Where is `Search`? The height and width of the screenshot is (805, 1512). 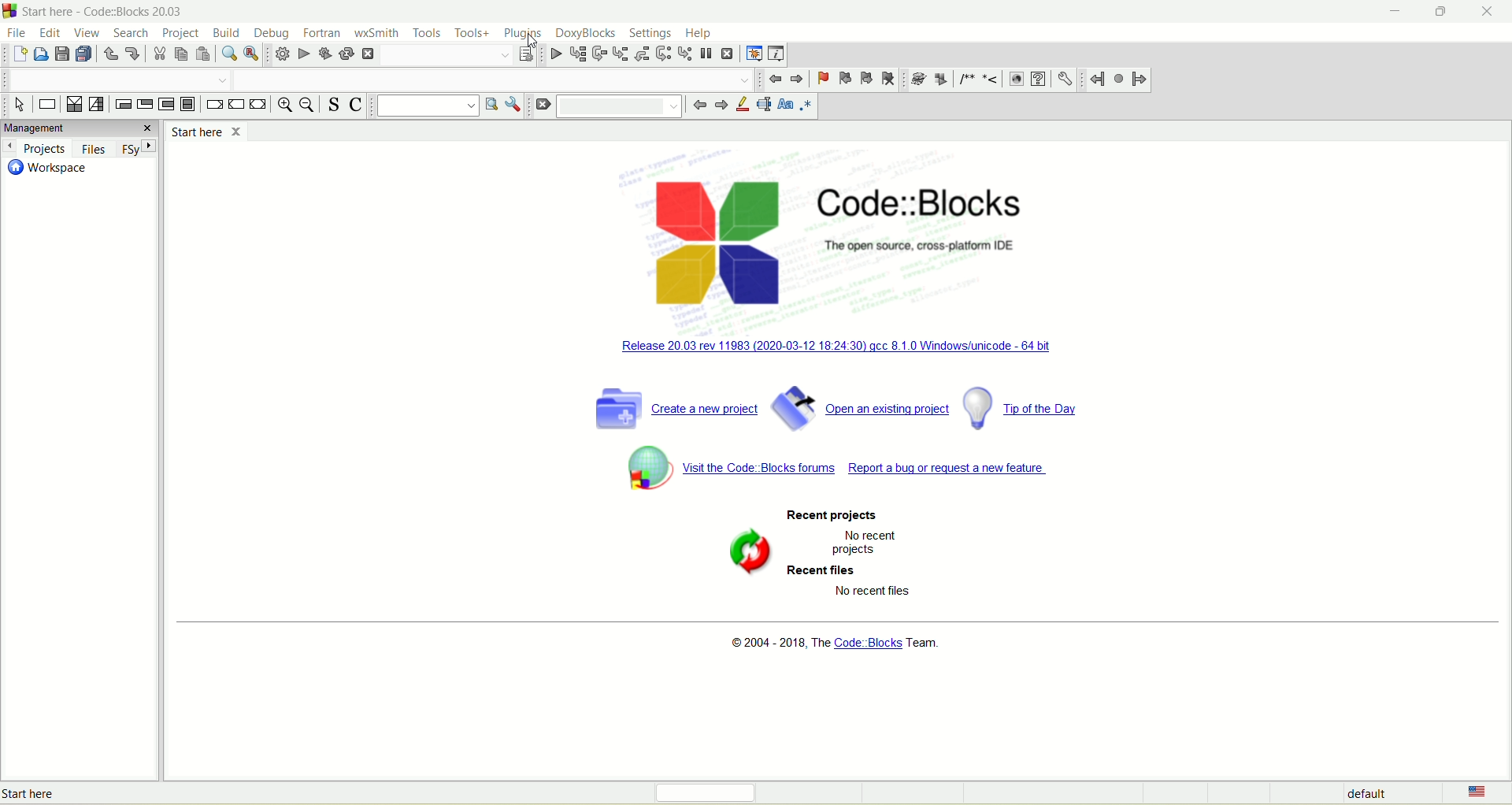 Search is located at coordinates (449, 55).